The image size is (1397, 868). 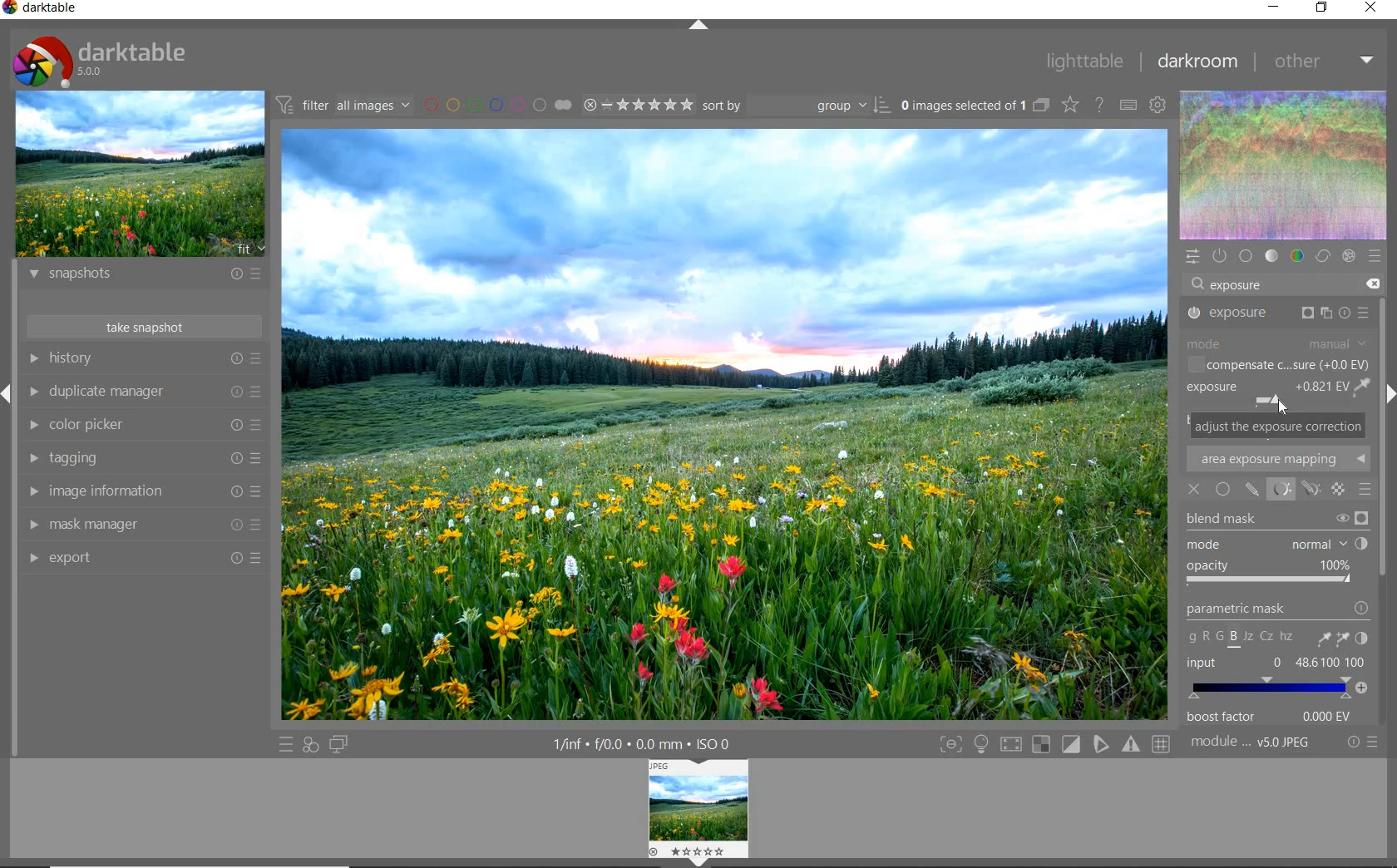 What do you see at coordinates (1223, 487) in the screenshot?
I see `UNIFORMLY` at bounding box center [1223, 487].